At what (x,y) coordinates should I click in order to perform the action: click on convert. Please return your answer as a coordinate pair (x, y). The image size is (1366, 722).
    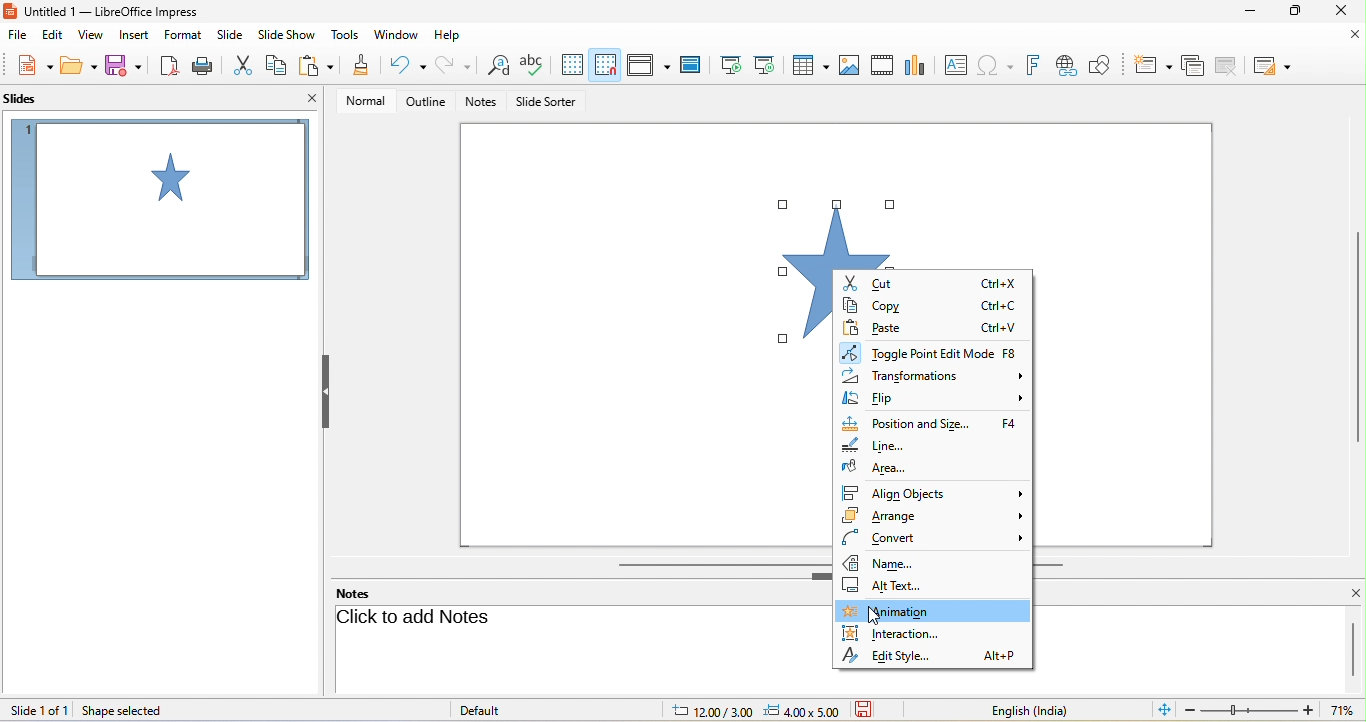
    Looking at the image, I should click on (933, 537).